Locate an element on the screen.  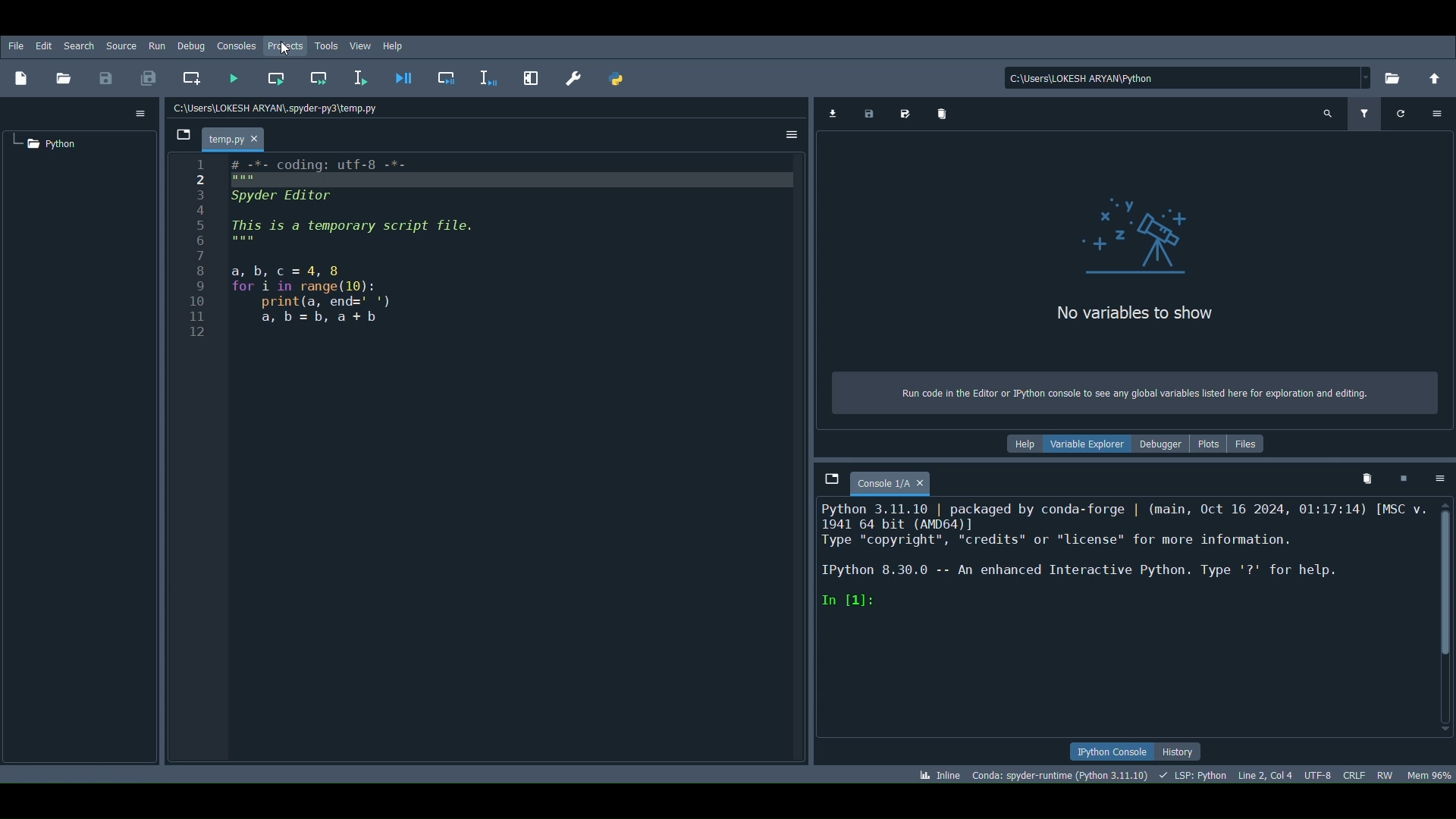
Debug cell is located at coordinates (451, 77).